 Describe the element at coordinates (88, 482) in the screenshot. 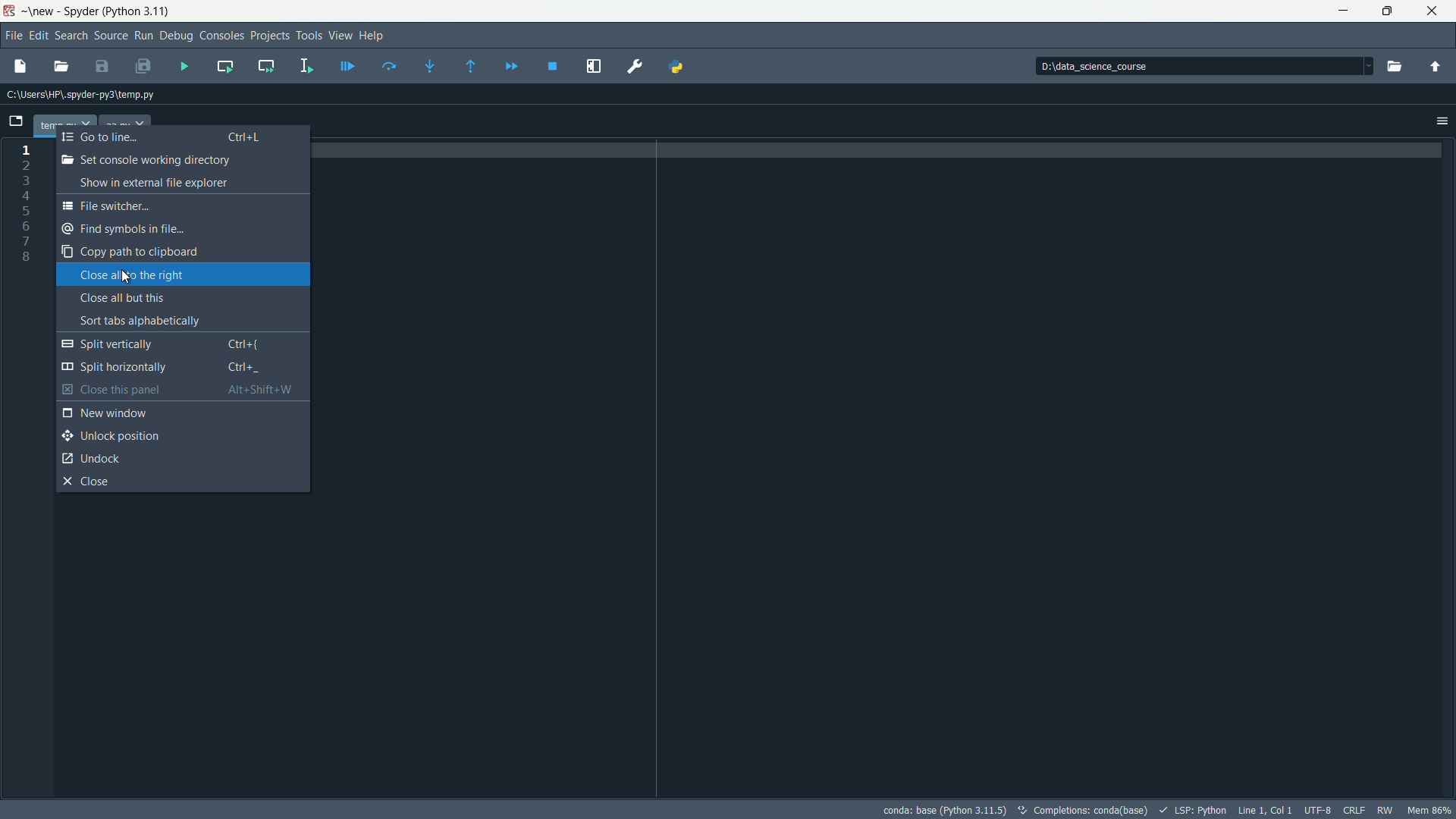

I see `close` at that location.